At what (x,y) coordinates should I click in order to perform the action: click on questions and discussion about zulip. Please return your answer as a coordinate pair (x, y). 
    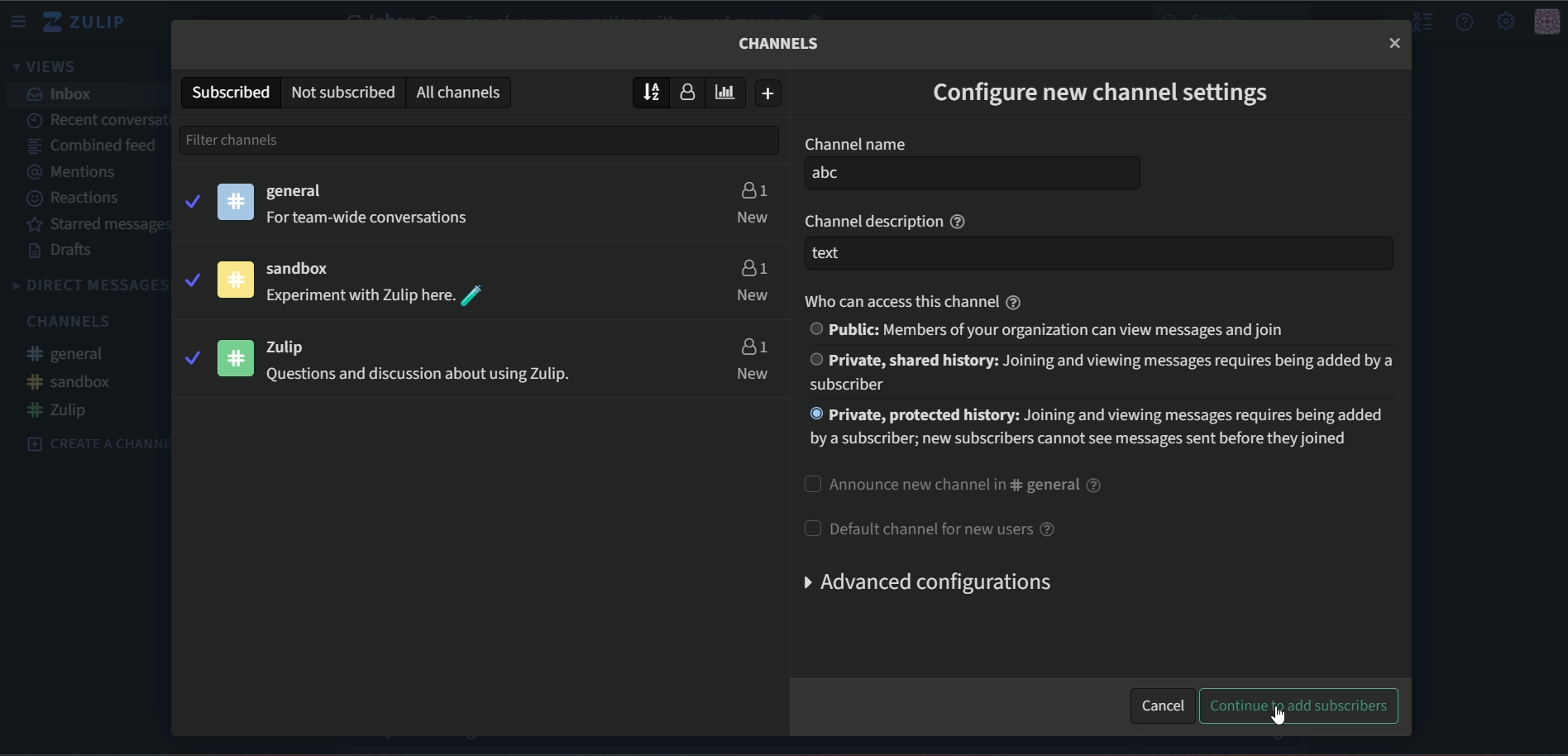
    Looking at the image, I should click on (414, 376).